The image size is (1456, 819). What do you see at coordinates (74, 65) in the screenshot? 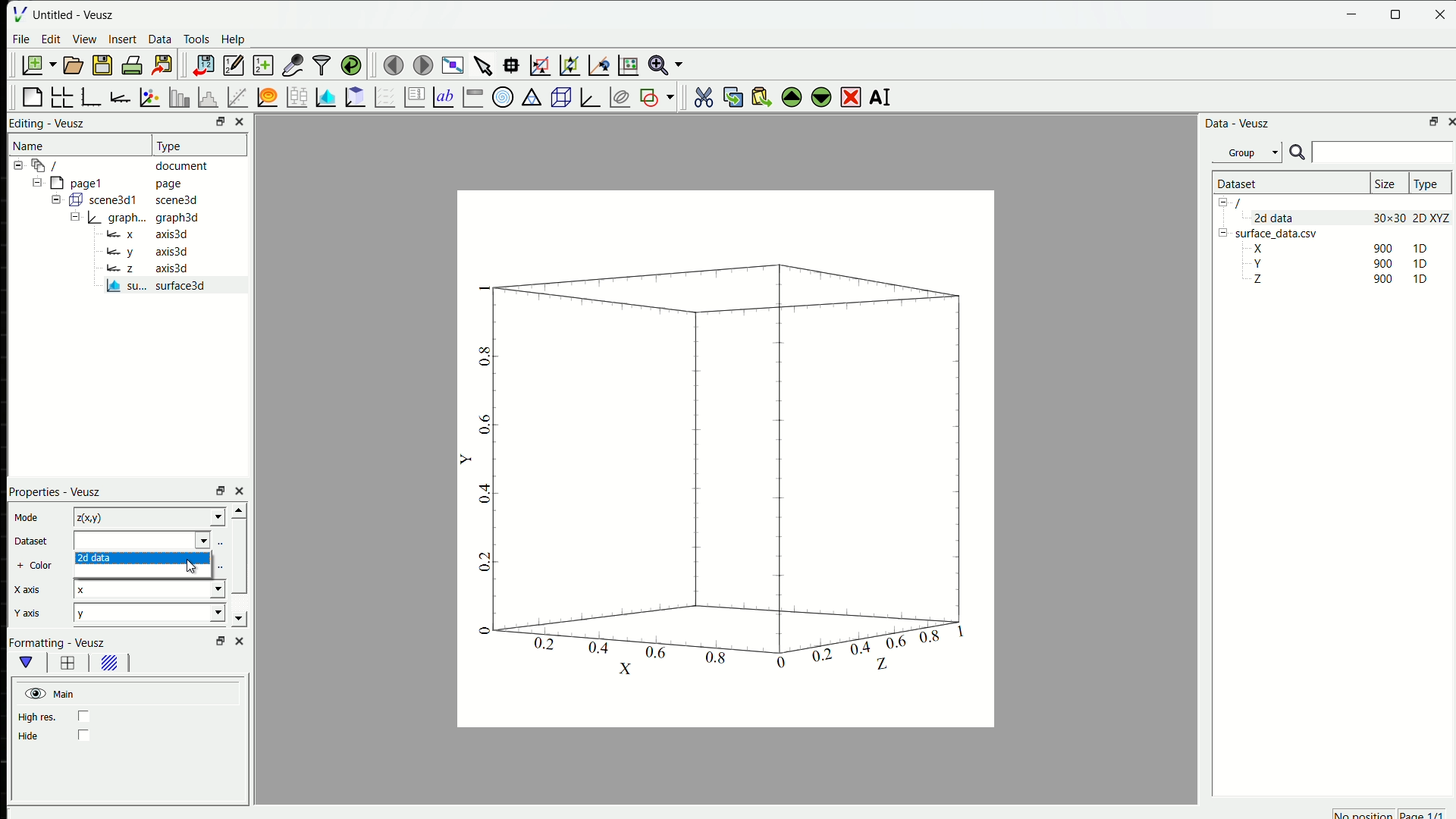
I see `open document` at bounding box center [74, 65].